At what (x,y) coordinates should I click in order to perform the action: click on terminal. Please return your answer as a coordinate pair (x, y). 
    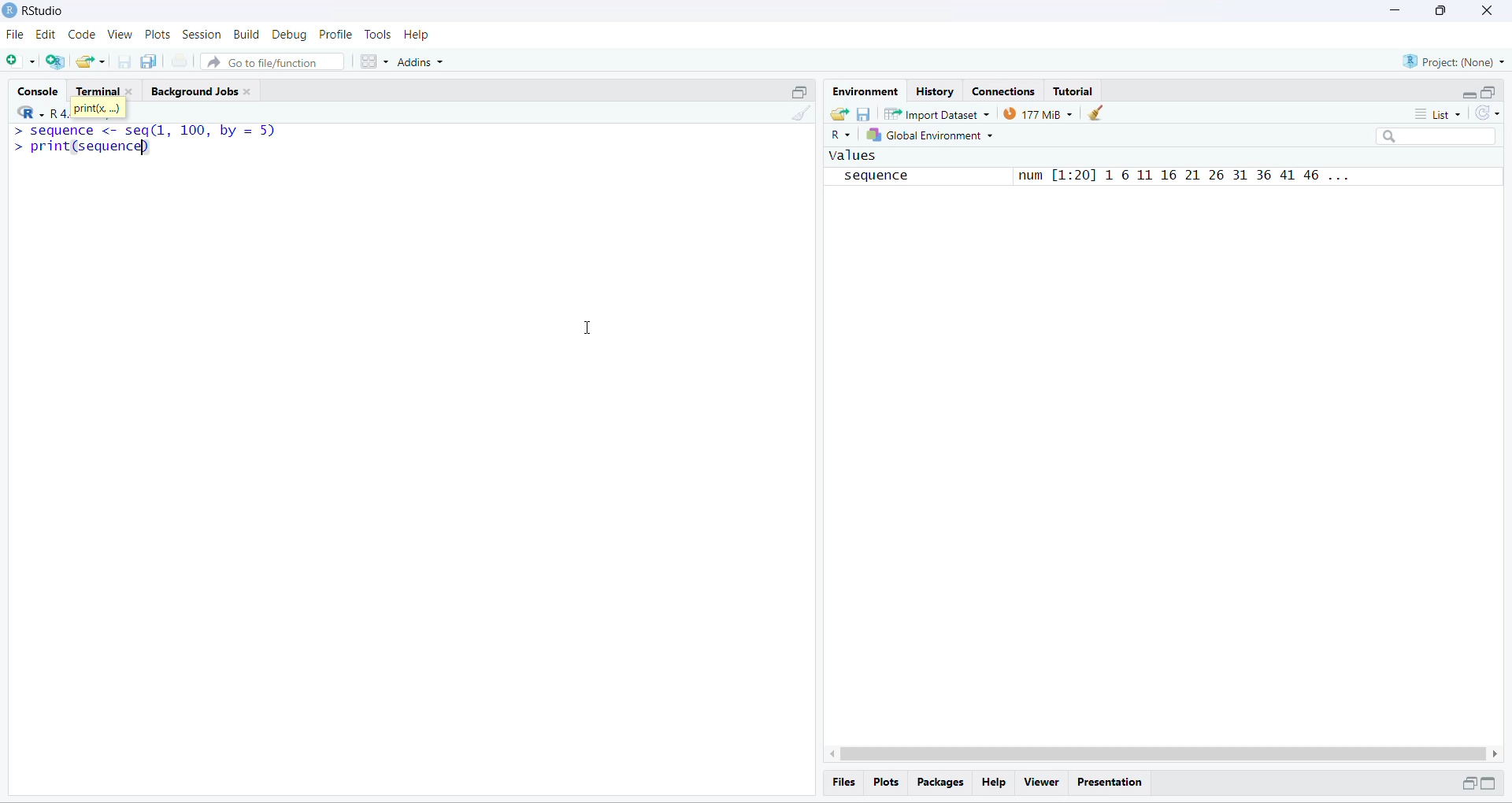
    Looking at the image, I should click on (98, 90).